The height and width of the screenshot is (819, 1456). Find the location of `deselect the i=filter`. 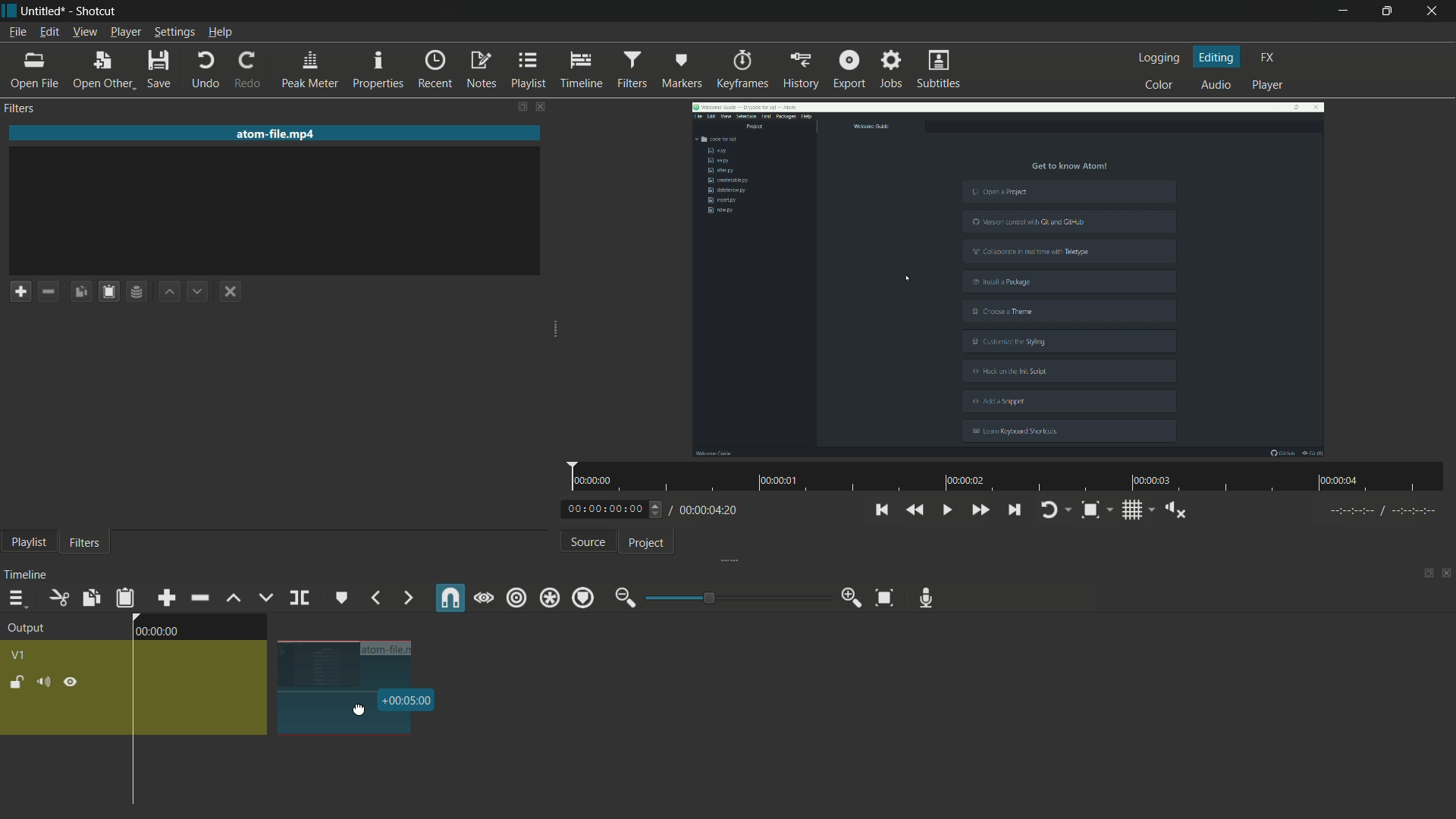

deselect the i=filter is located at coordinates (231, 291).